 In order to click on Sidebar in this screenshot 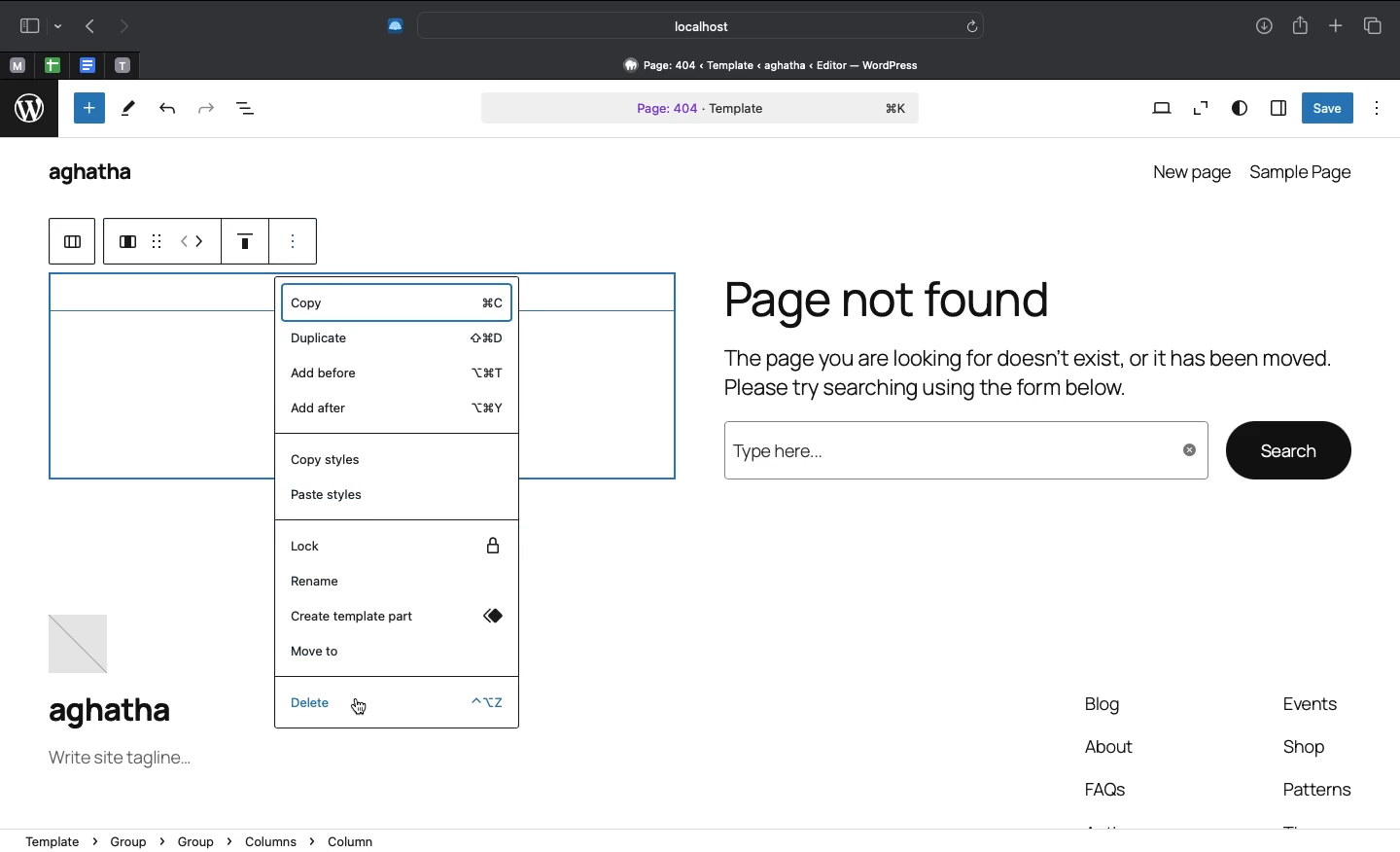, I will do `click(37, 25)`.